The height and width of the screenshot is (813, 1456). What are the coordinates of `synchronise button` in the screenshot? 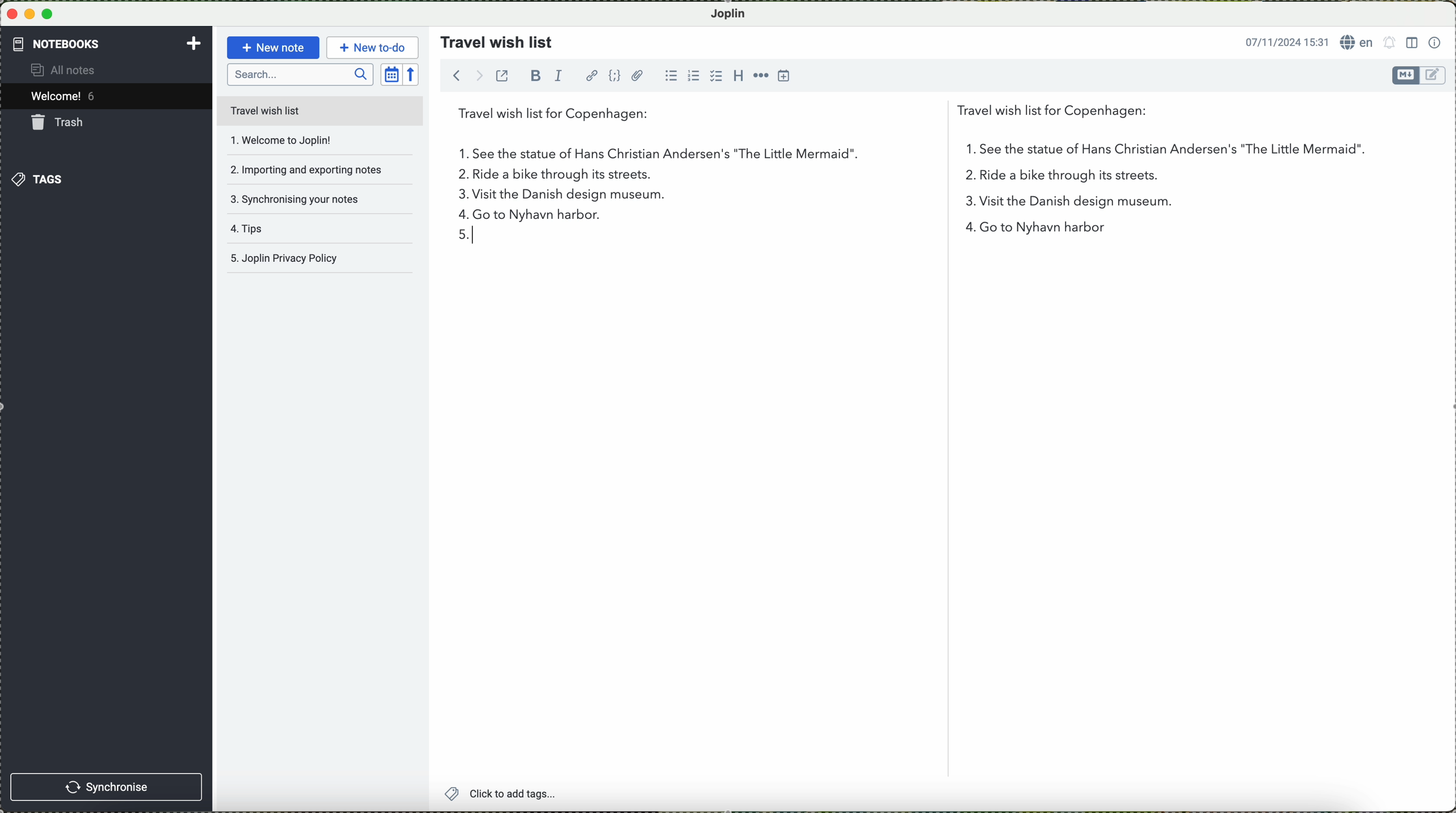 It's located at (108, 786).